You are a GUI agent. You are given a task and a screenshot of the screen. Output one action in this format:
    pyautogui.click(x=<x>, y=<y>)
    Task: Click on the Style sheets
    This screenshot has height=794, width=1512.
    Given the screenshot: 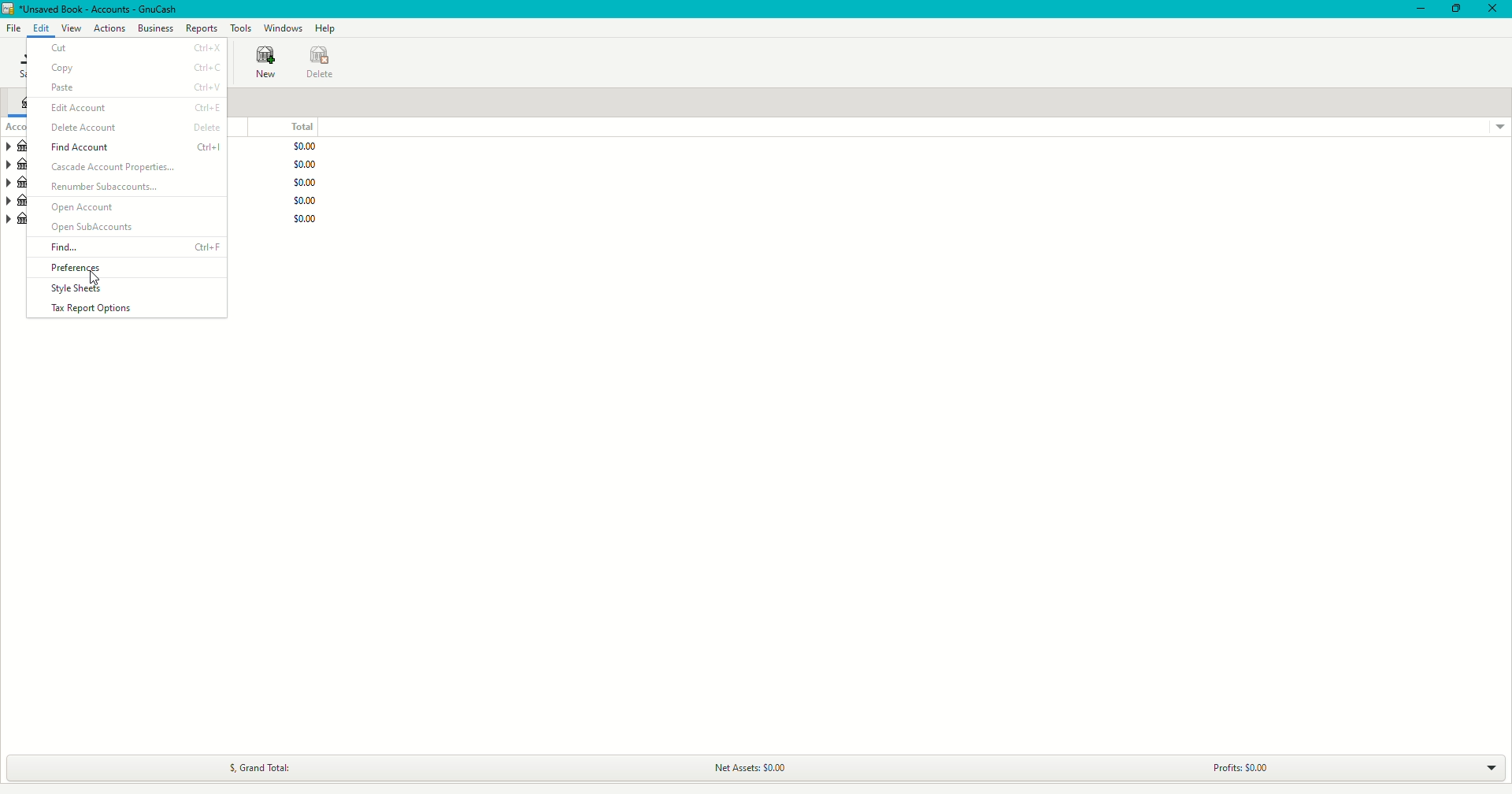 What is the action you would take?
    pyautogui.click(x=69, y=289)
    